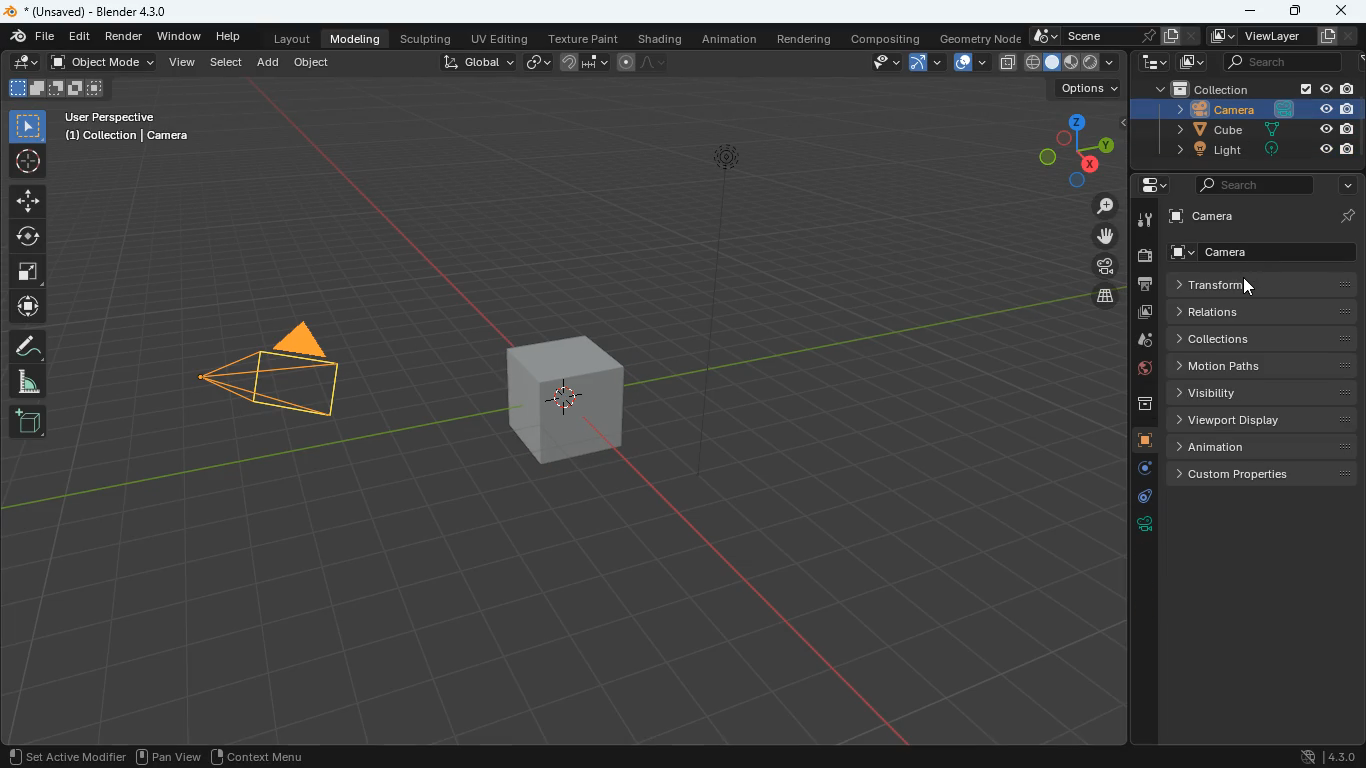 The height and width of the screenshot is (768, 1366). Describe the element at coordinates (981, 37) in the screenshot. I see `geometry node` at that location.